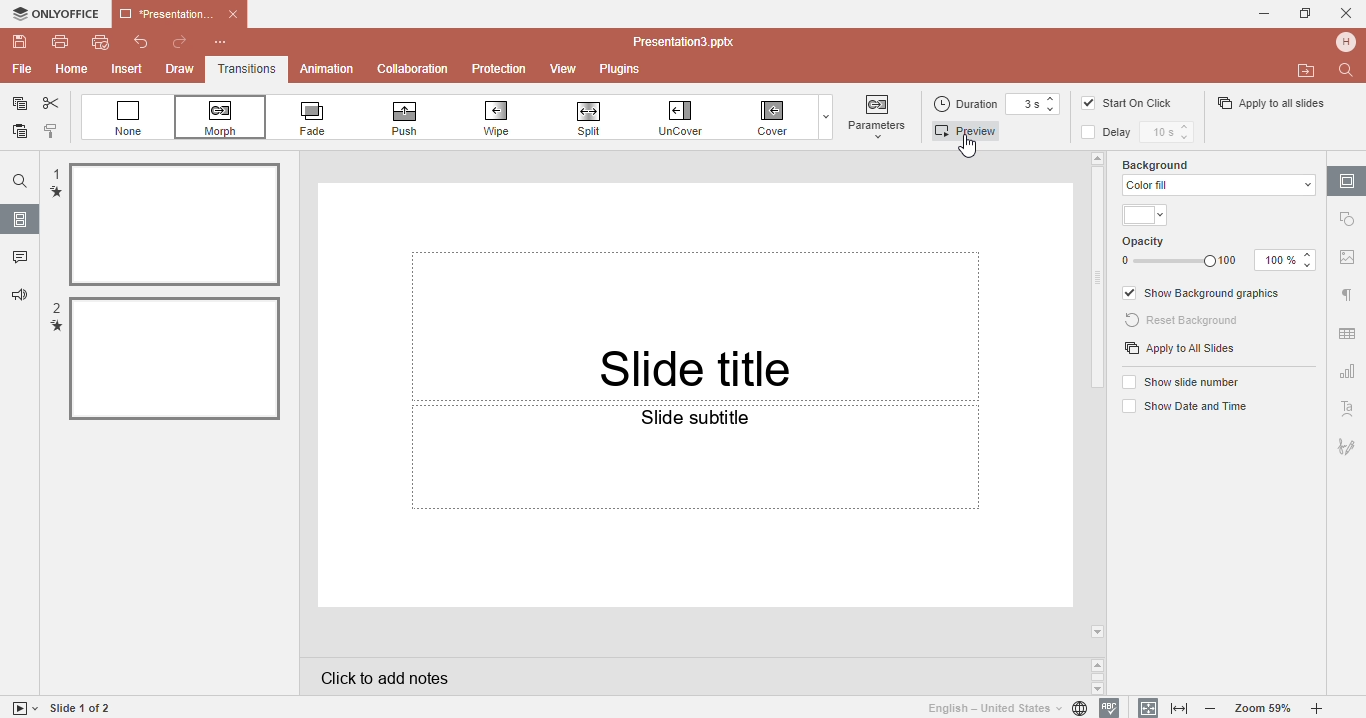 Image resolution: width=1366 pixels, height=718 pixels. Describe the element at coordinates (1346, 295) in the screenshot. I see `Paragraph settings` at that location.